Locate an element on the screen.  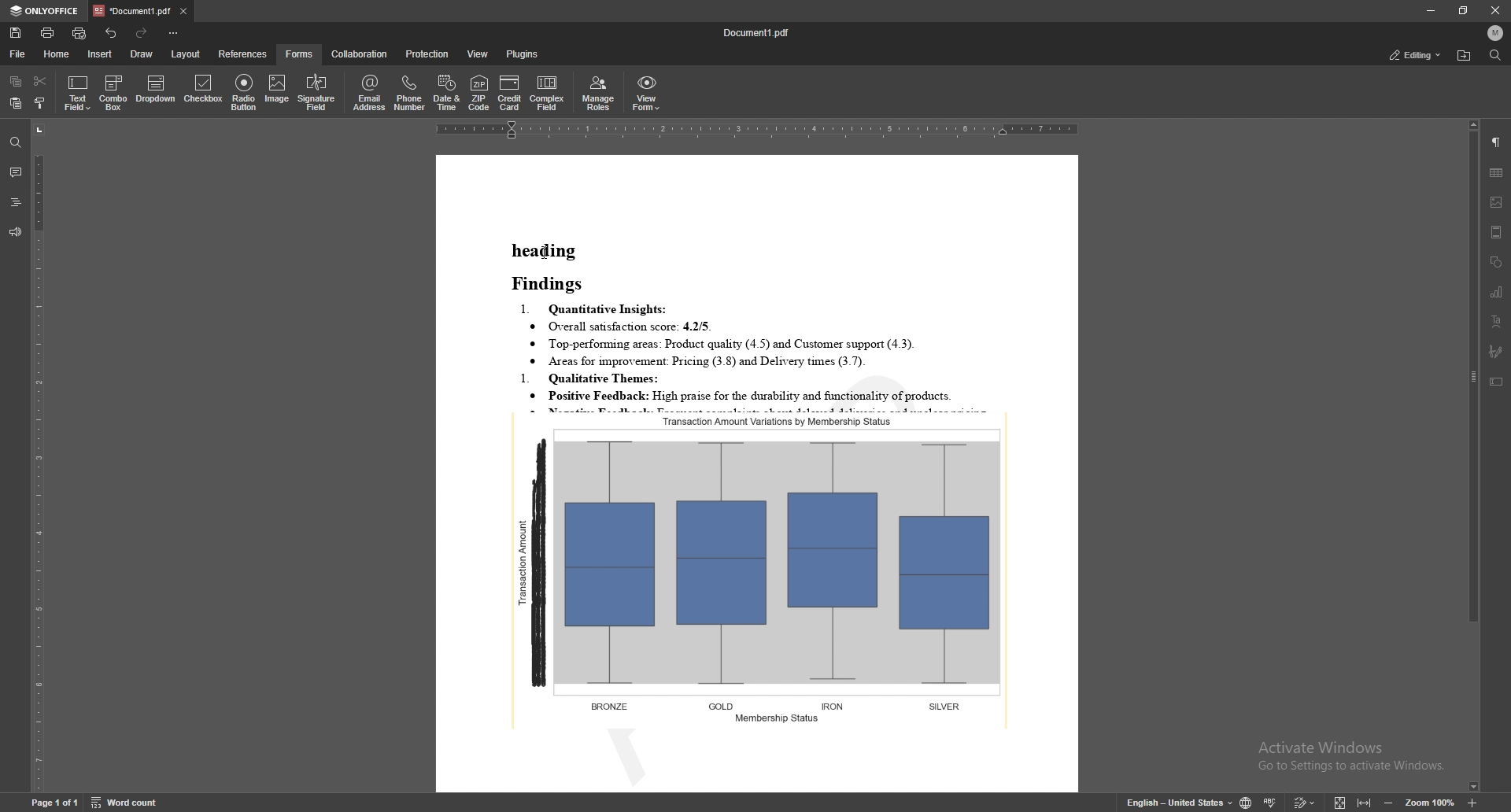
save is located at coordinates (15, 34).